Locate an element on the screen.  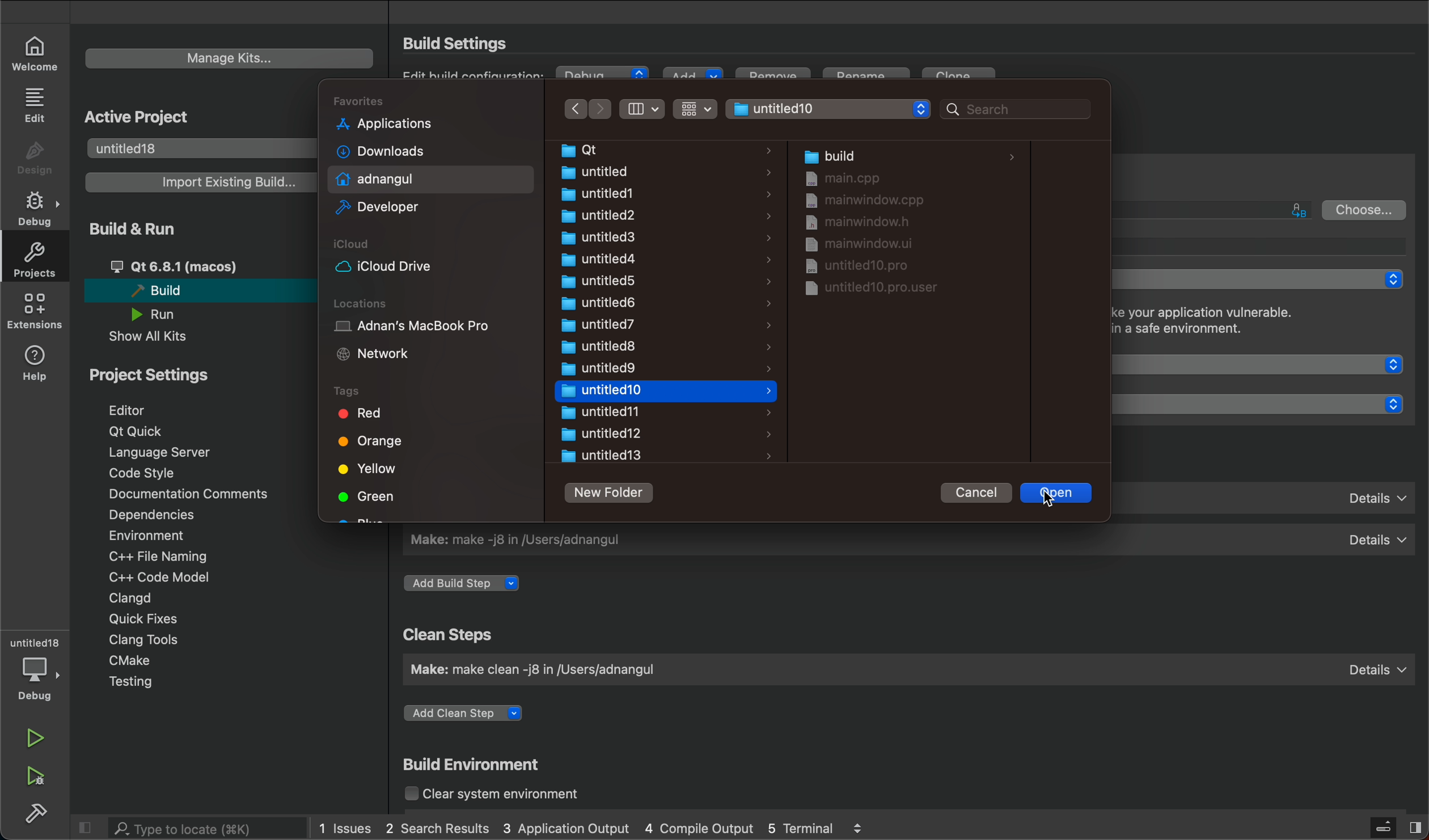
logs           is located at coordinates (865, 827).